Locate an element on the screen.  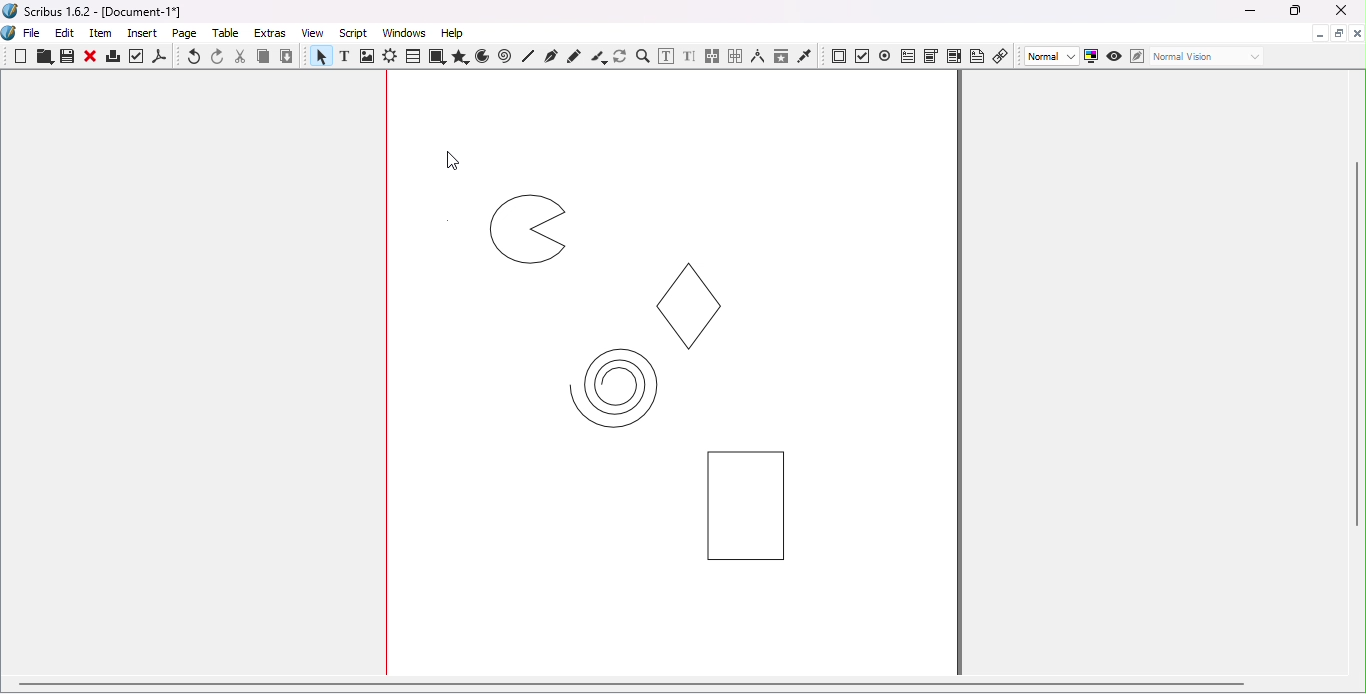
Table is located at coordinates (229, 34).